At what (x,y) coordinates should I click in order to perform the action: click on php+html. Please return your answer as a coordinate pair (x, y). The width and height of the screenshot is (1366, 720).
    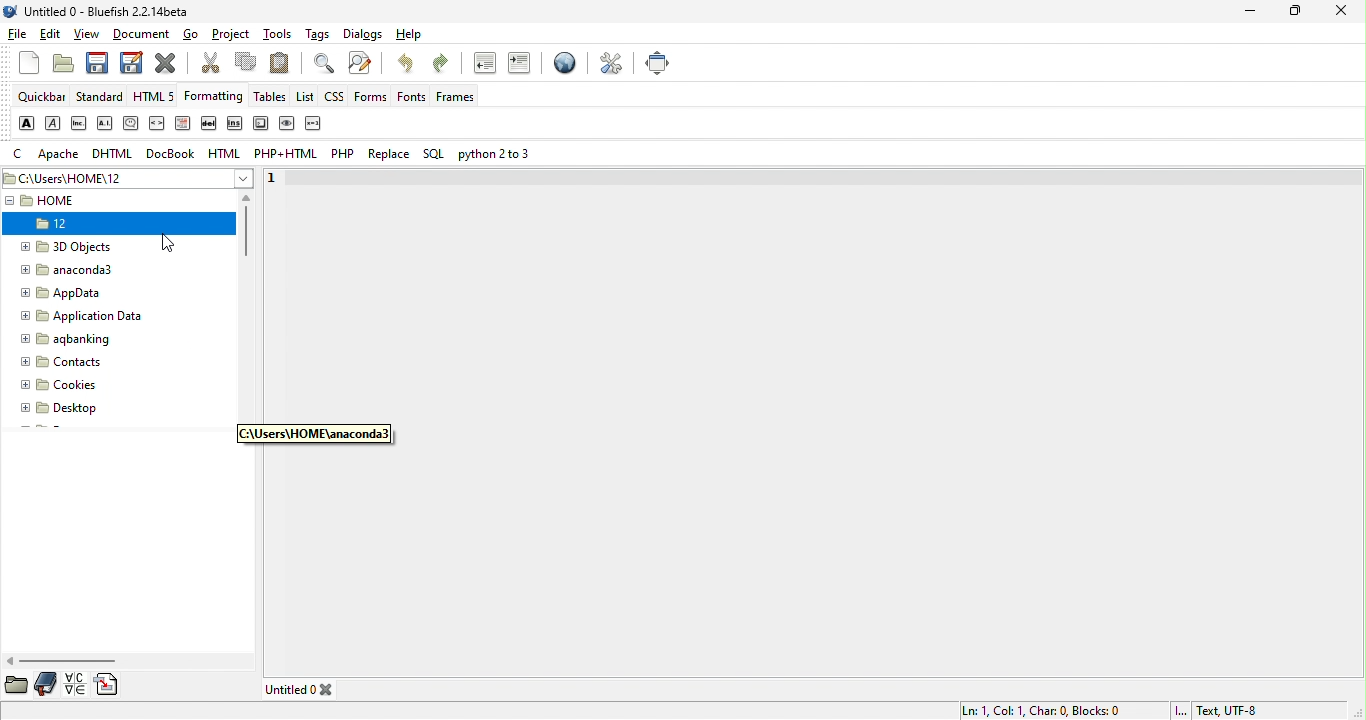
    Looking at the image, I should click on (287, 154).